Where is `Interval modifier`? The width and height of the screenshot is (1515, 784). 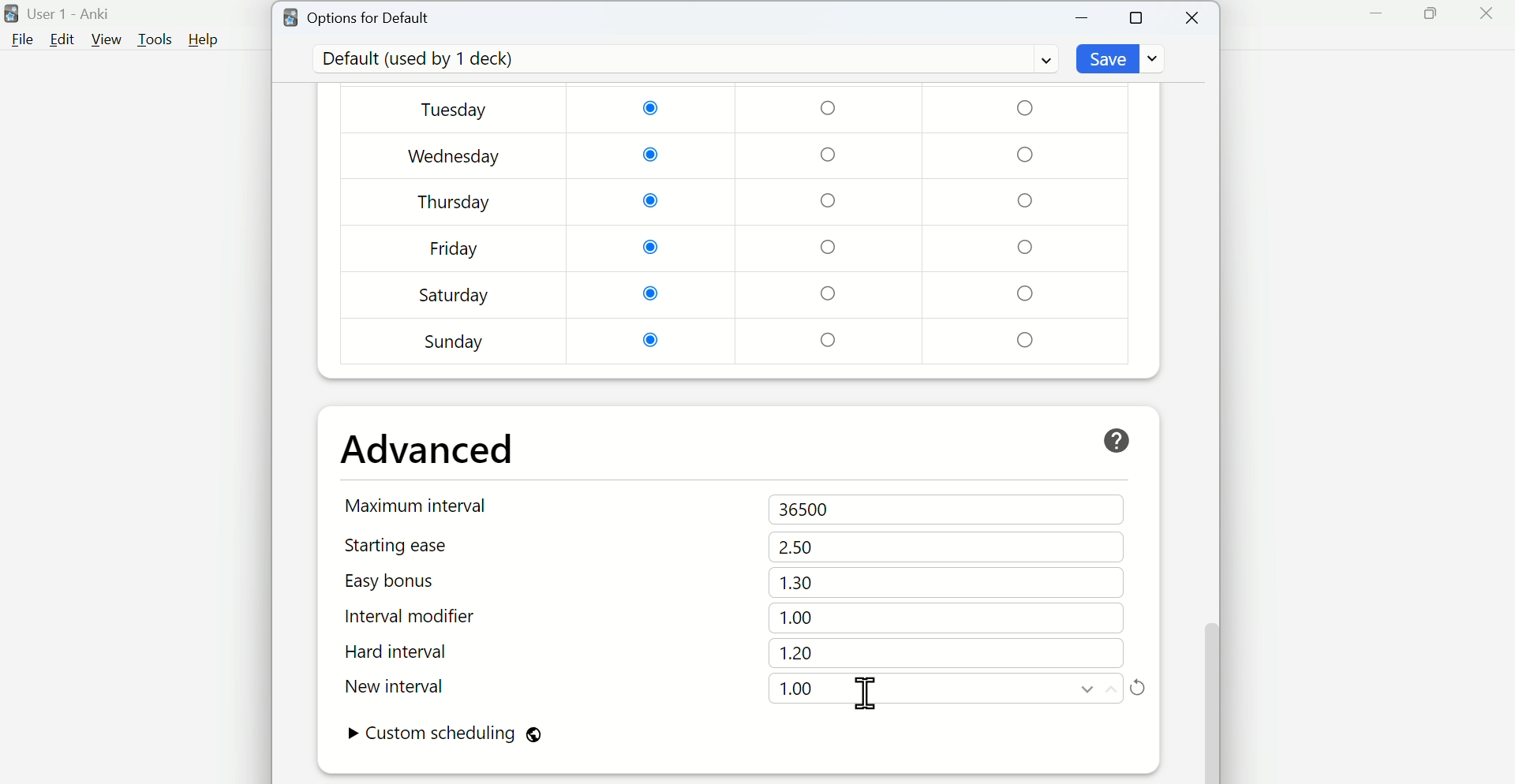 Interval modifier is located at coordinates (417, 617).